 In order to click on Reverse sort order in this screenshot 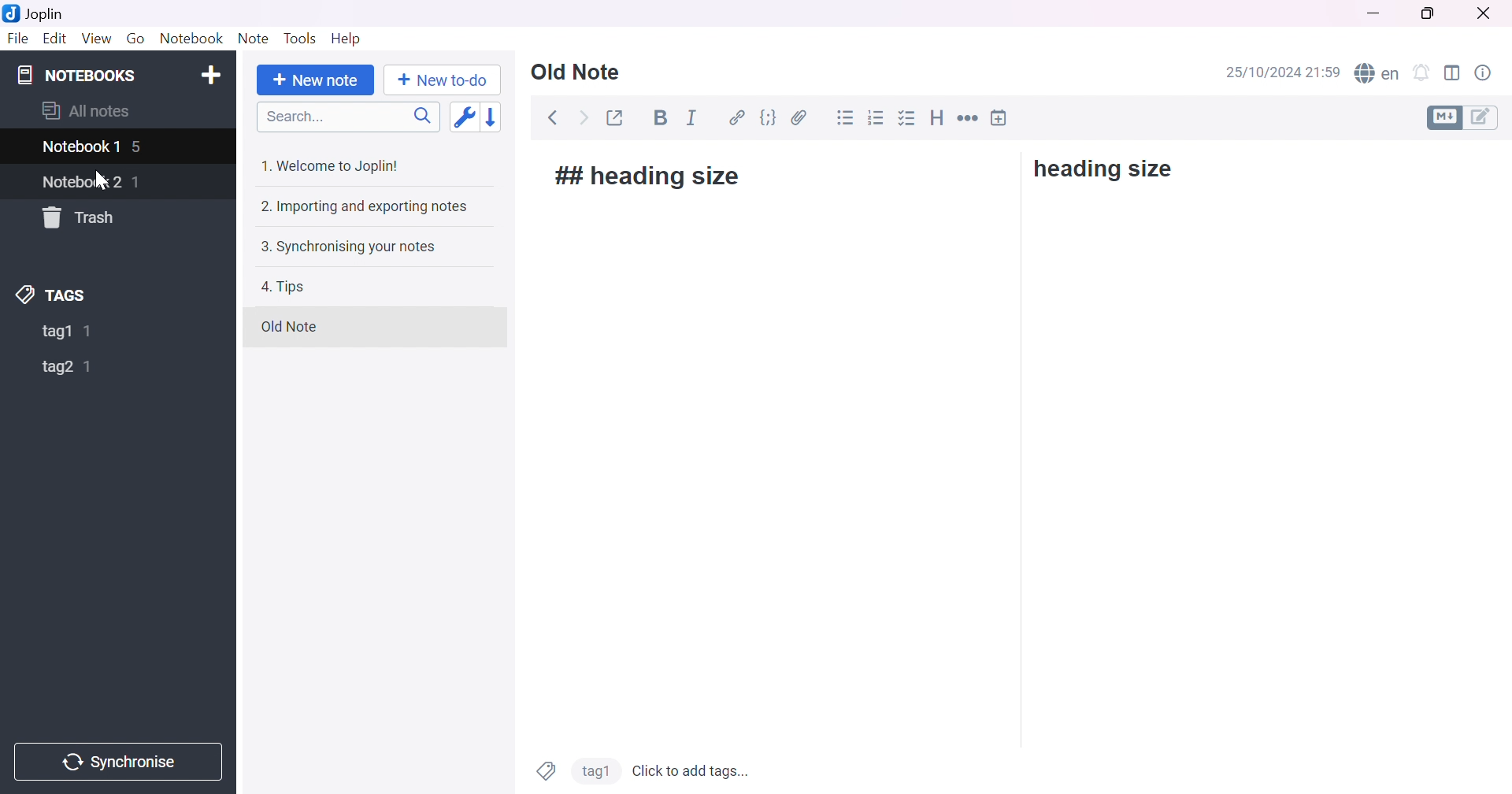, I will do `click(495, 117)`.